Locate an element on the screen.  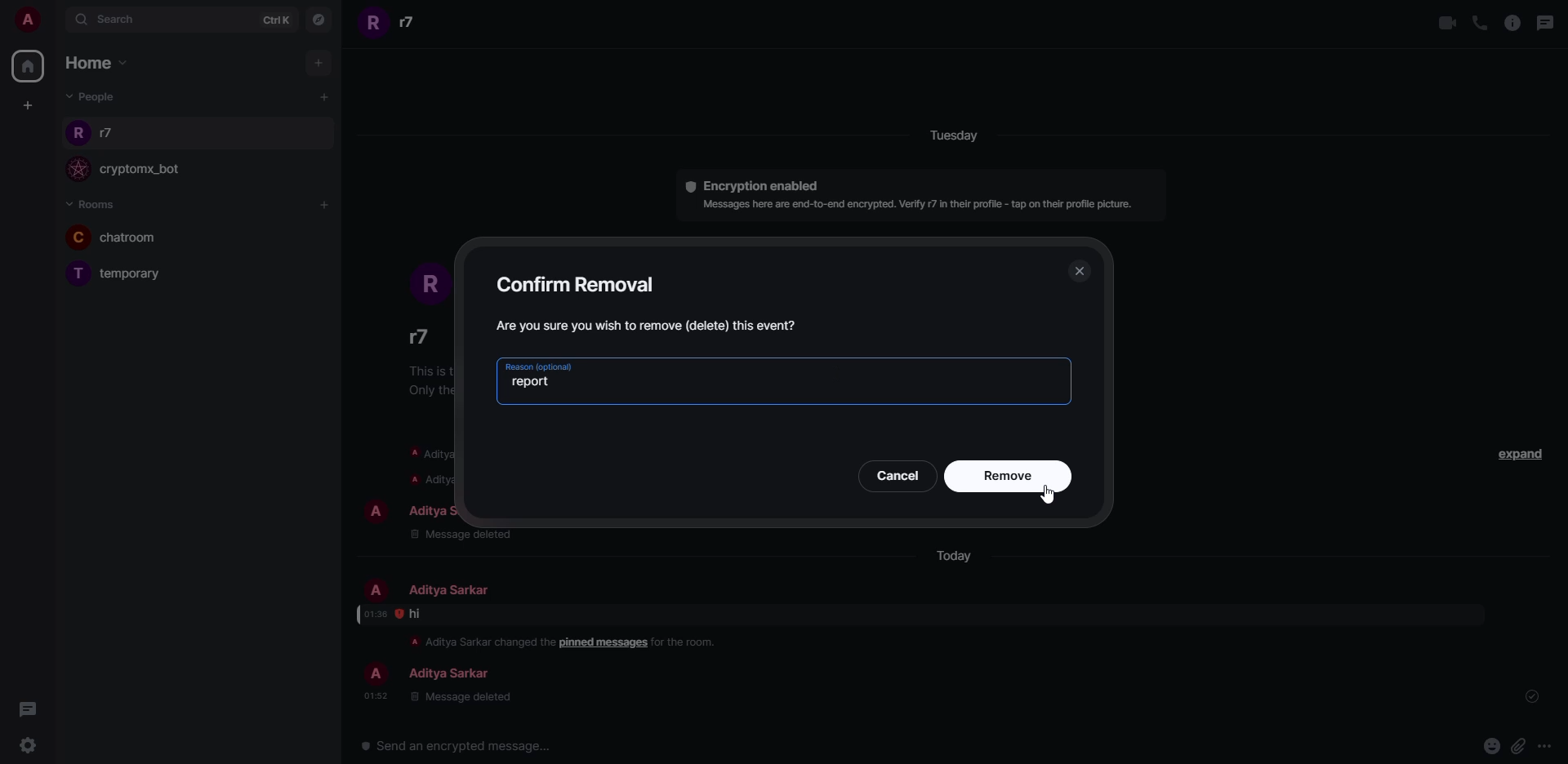
people is located at coordinates (93, 96).